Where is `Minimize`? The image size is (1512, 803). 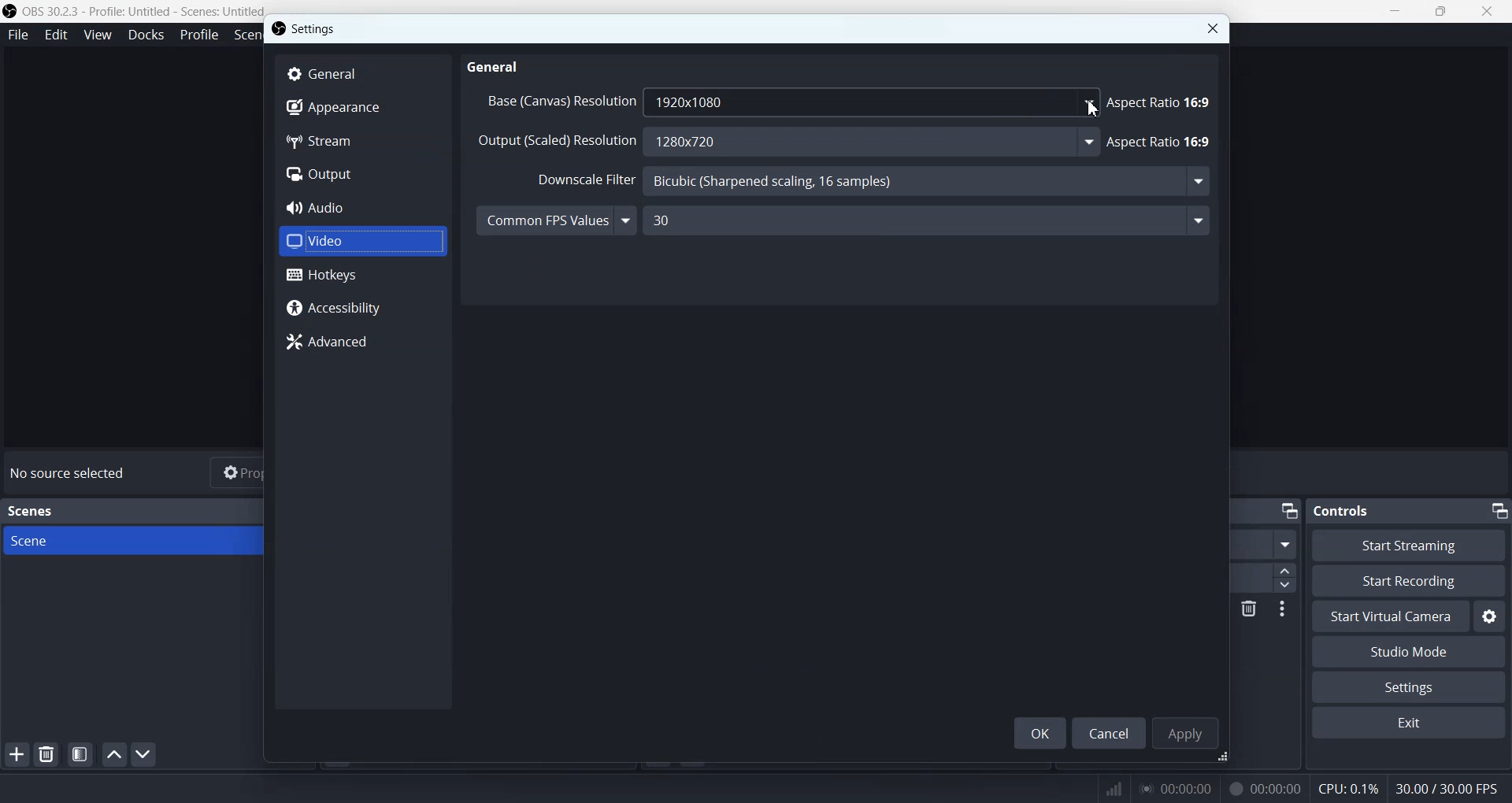
Minimize is located at coordinates (1498, 509).